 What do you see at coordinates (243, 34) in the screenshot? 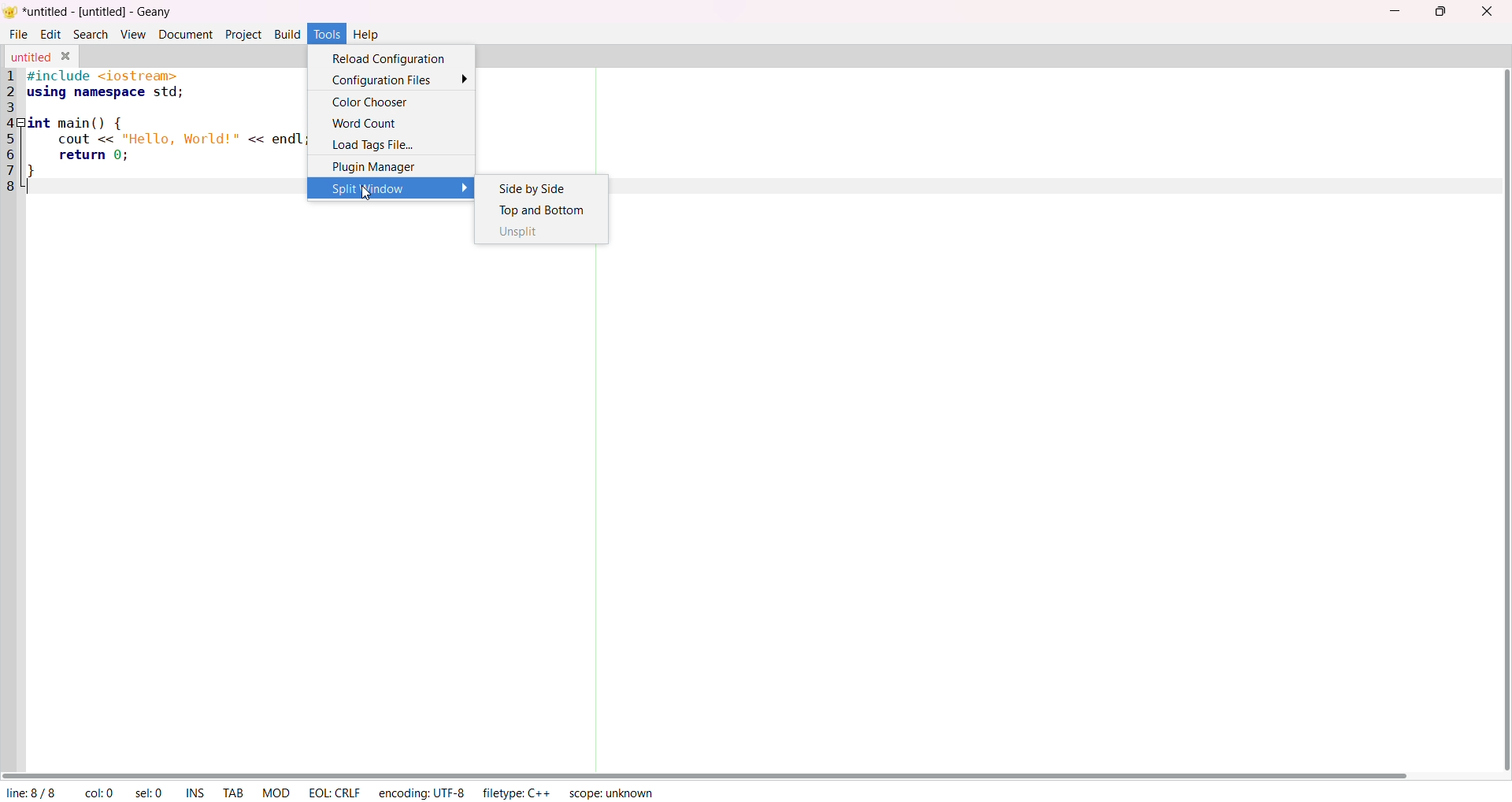
I see `Project` at bounding box center [243, 34].